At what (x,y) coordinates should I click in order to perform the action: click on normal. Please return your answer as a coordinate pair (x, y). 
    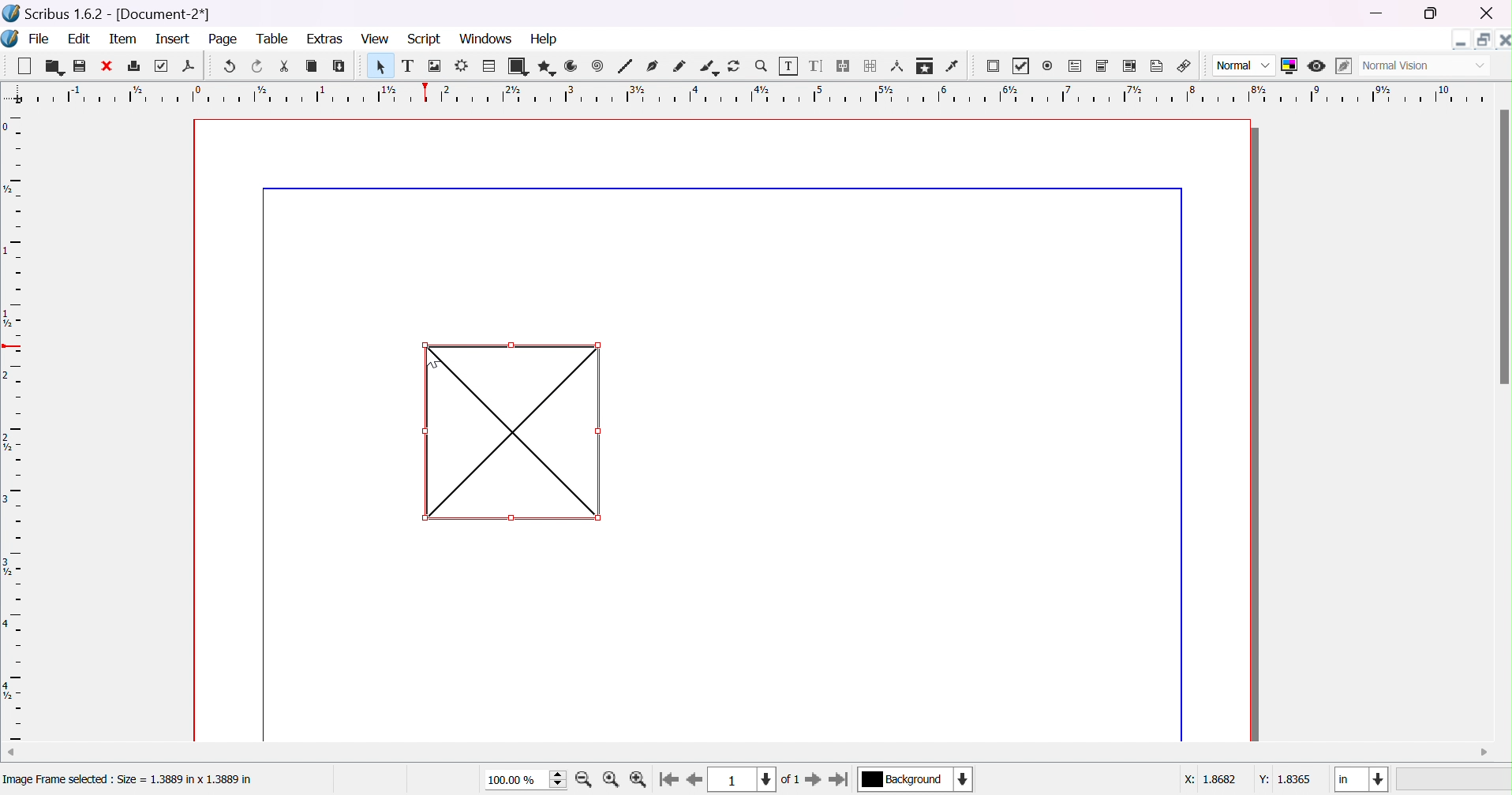
    Looking at the image, I should click on (1244, 66).